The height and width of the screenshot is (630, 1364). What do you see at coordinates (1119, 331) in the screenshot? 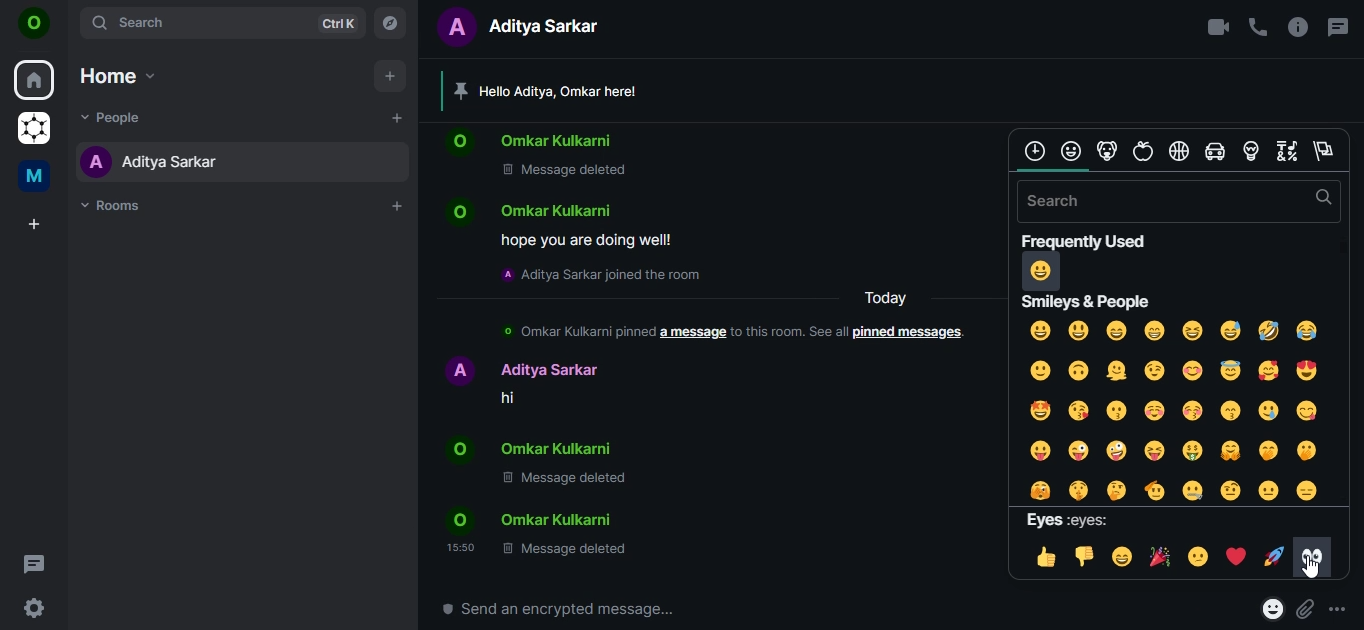
I see `grinning face with smiling eyes` at bounding box center [1119, 331].